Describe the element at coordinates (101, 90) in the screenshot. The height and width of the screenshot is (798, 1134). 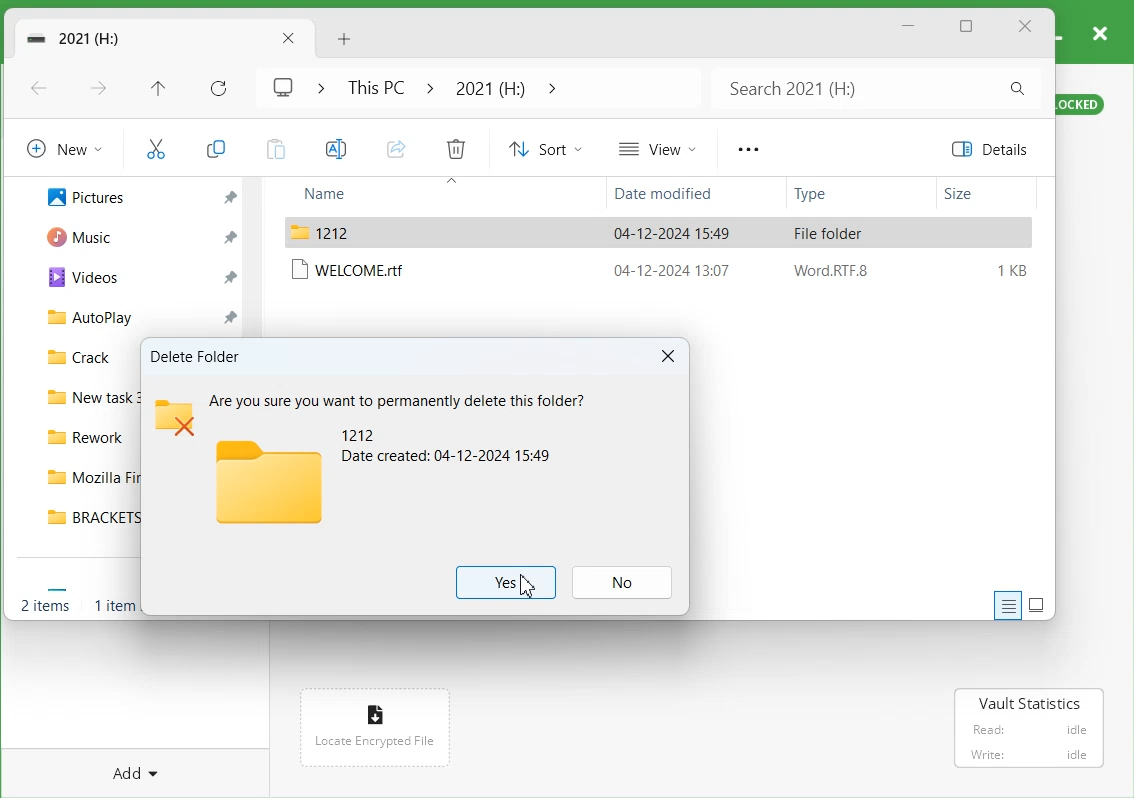
I see `Go Forward` at that location.